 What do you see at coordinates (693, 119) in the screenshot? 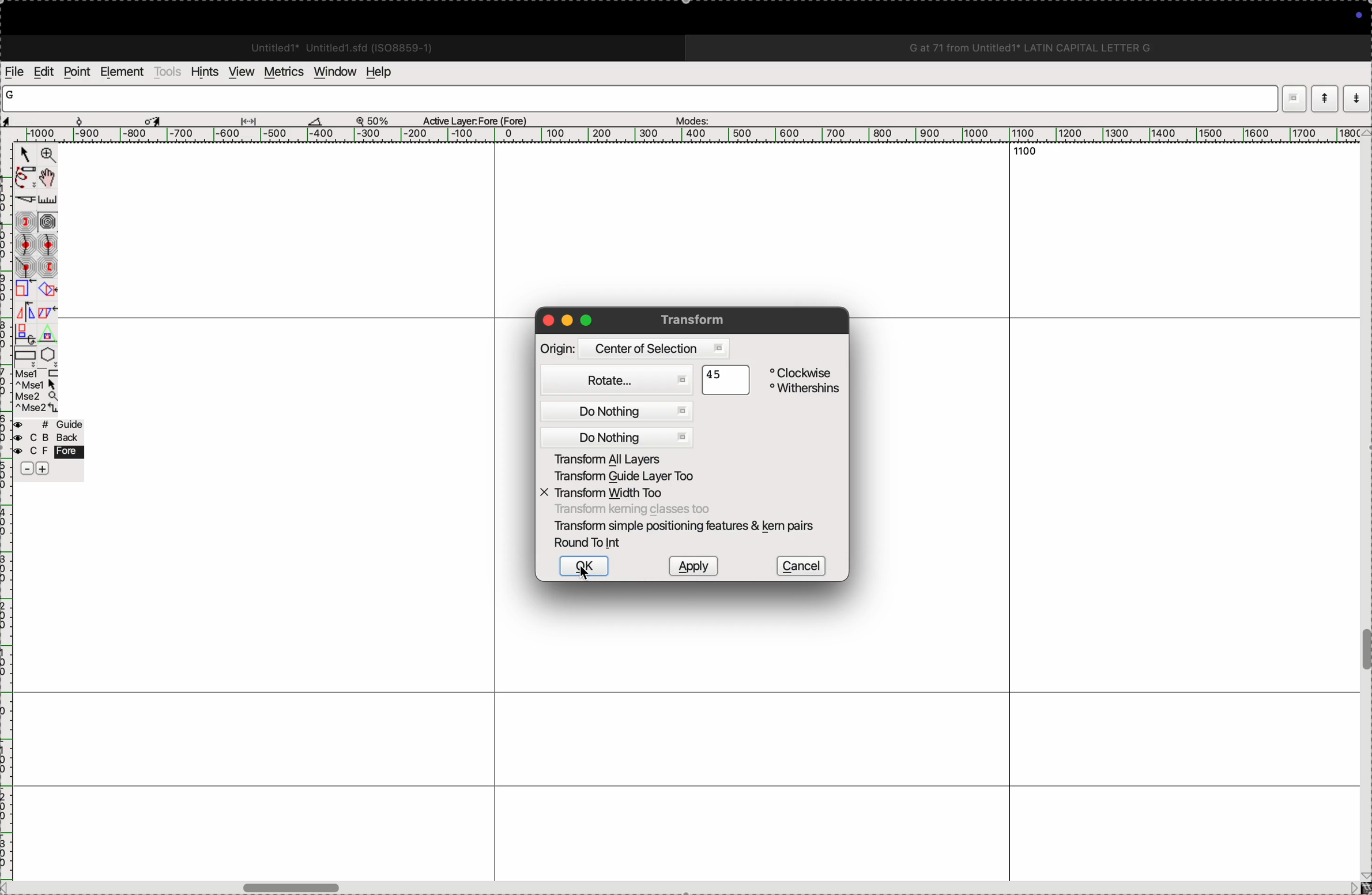
I see `modes` at bounding box center [693, 119].